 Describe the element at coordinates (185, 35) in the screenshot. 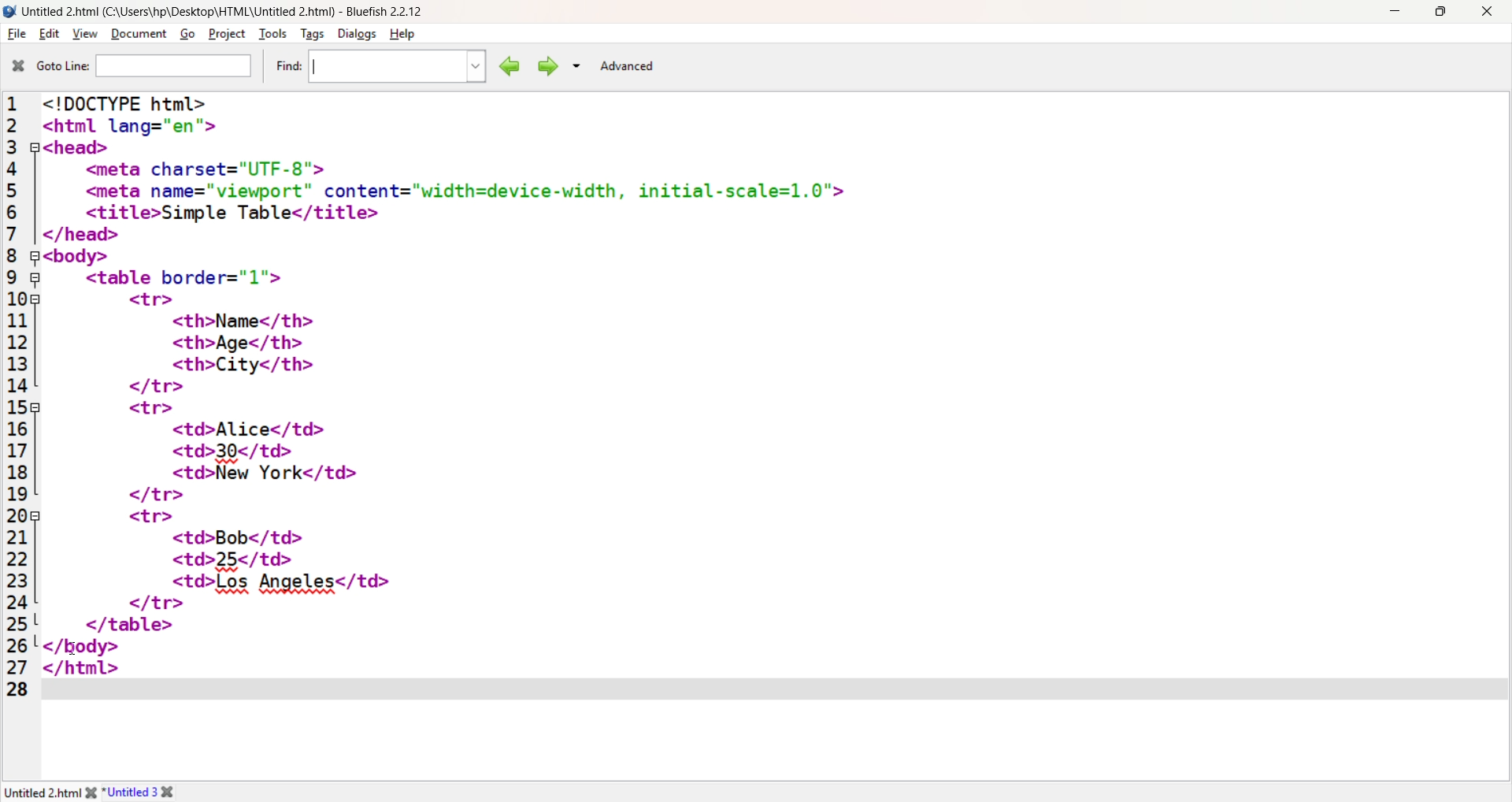

I see `Go` at that location.